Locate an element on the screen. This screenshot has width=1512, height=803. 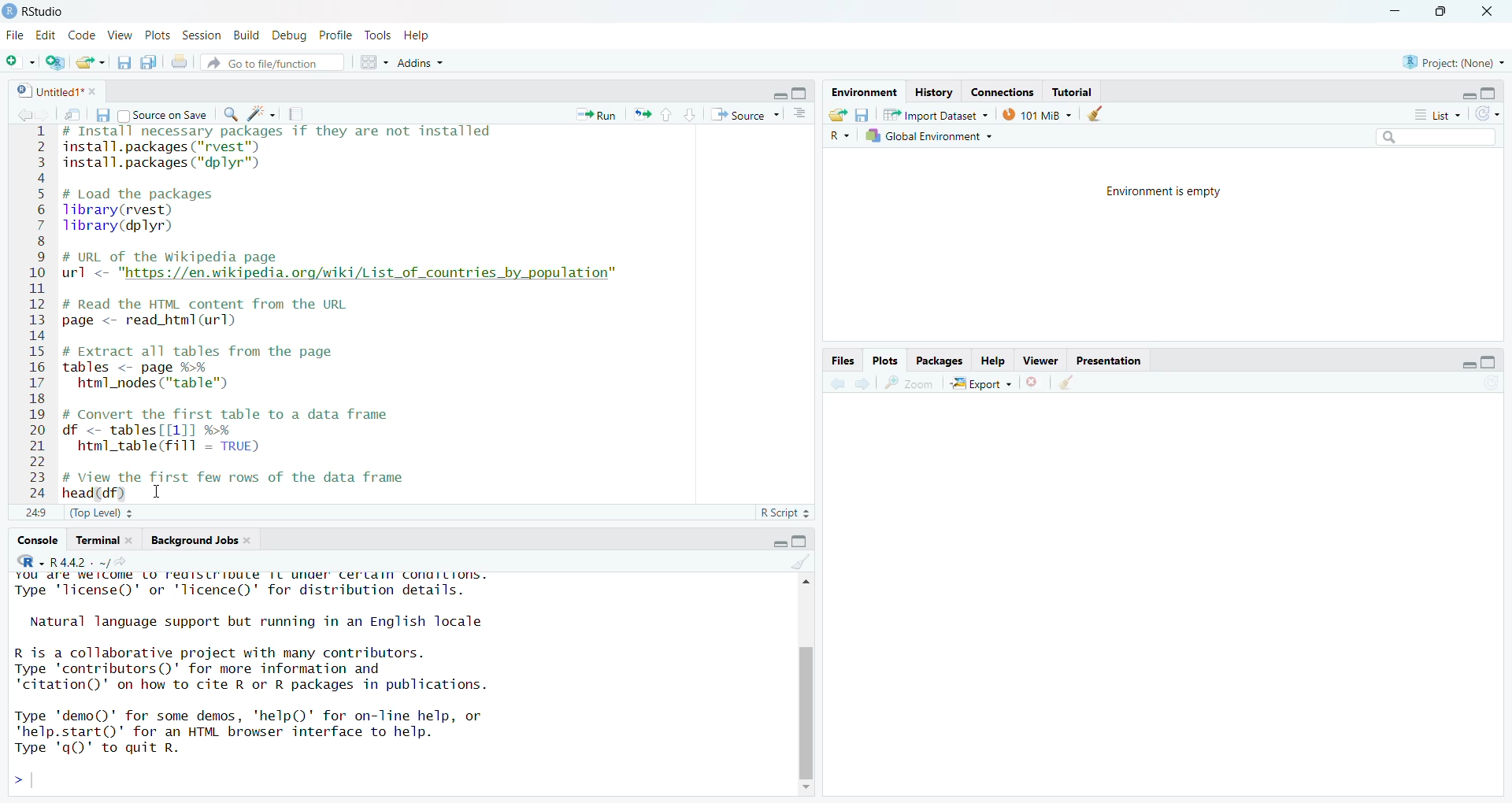
scroll down is located at coordinates (806, 789).